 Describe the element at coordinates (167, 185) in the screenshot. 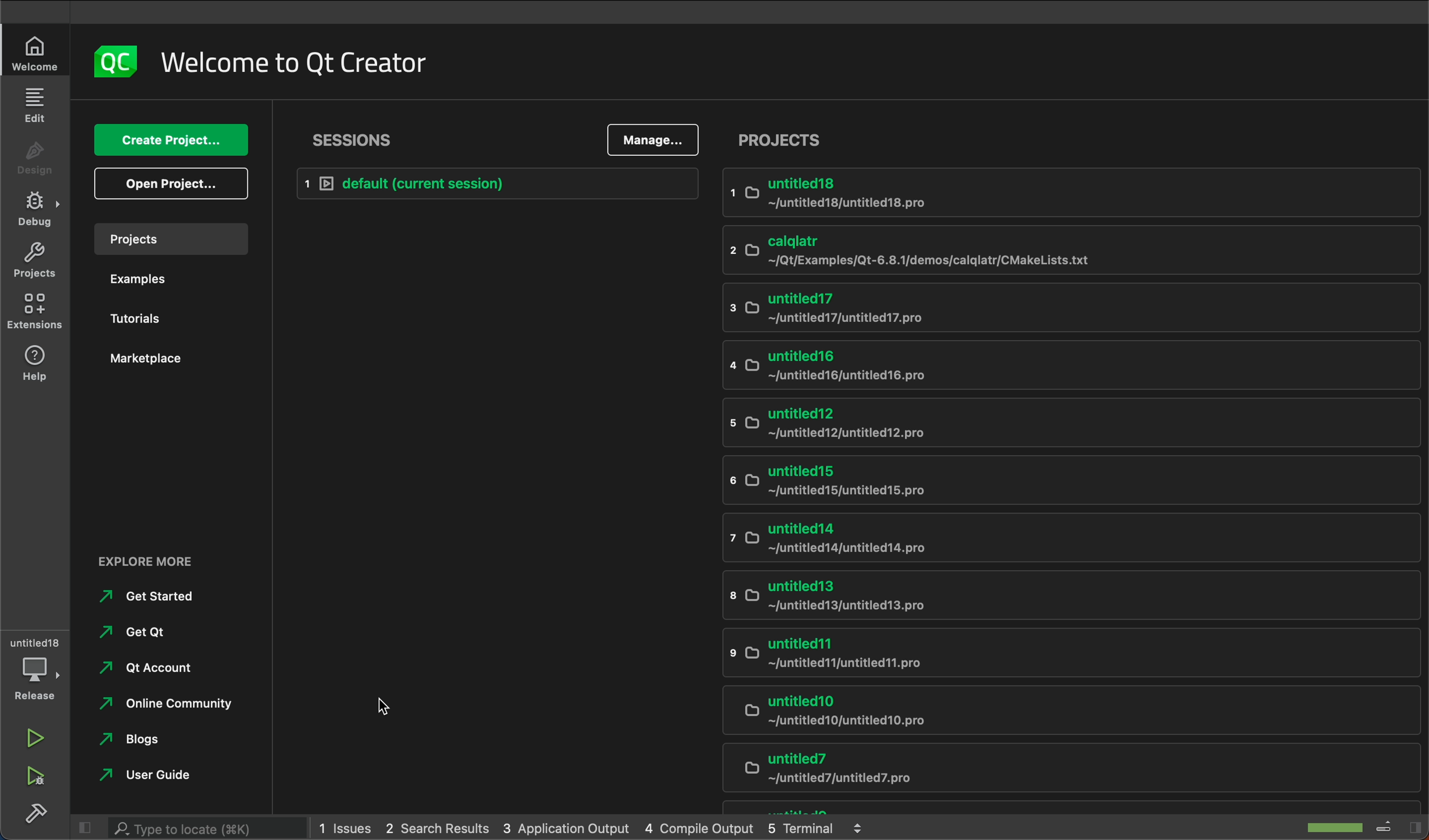

I see `open` at that location.